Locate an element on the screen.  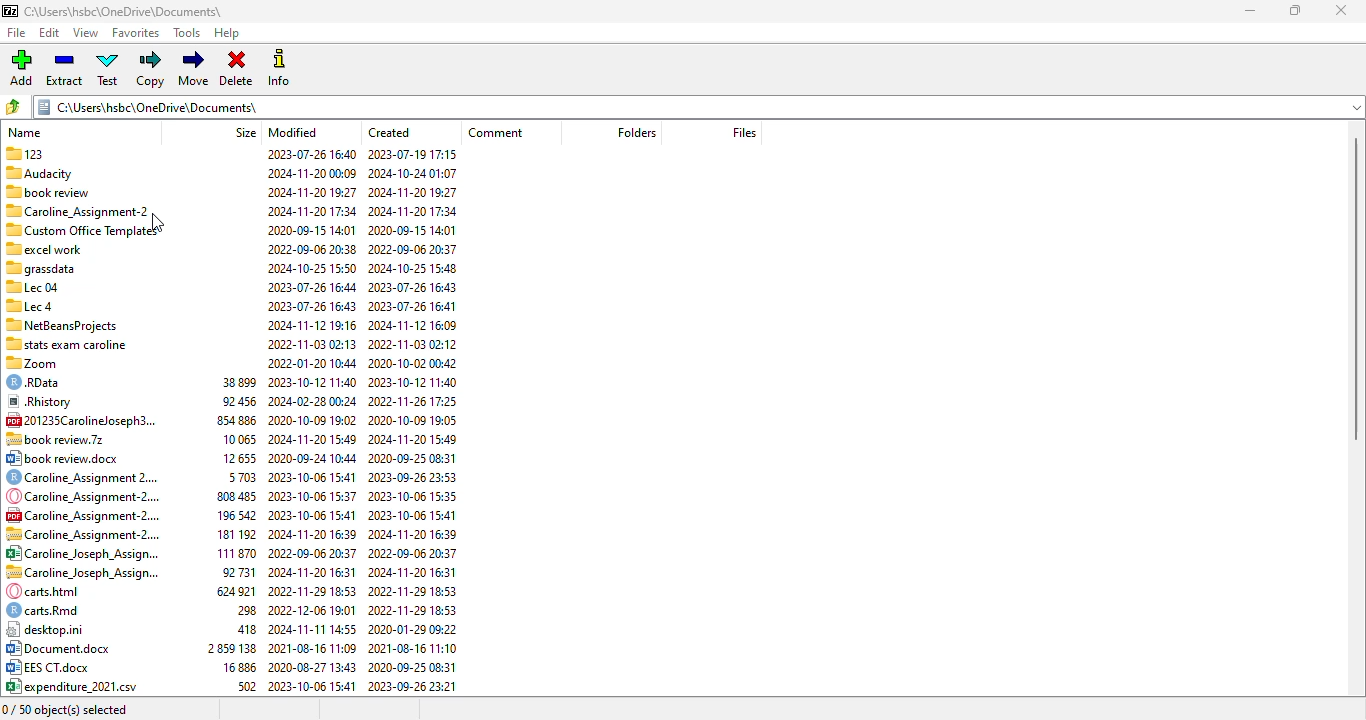
2023-07-26 16:43 is located at coordinates (308, 307).